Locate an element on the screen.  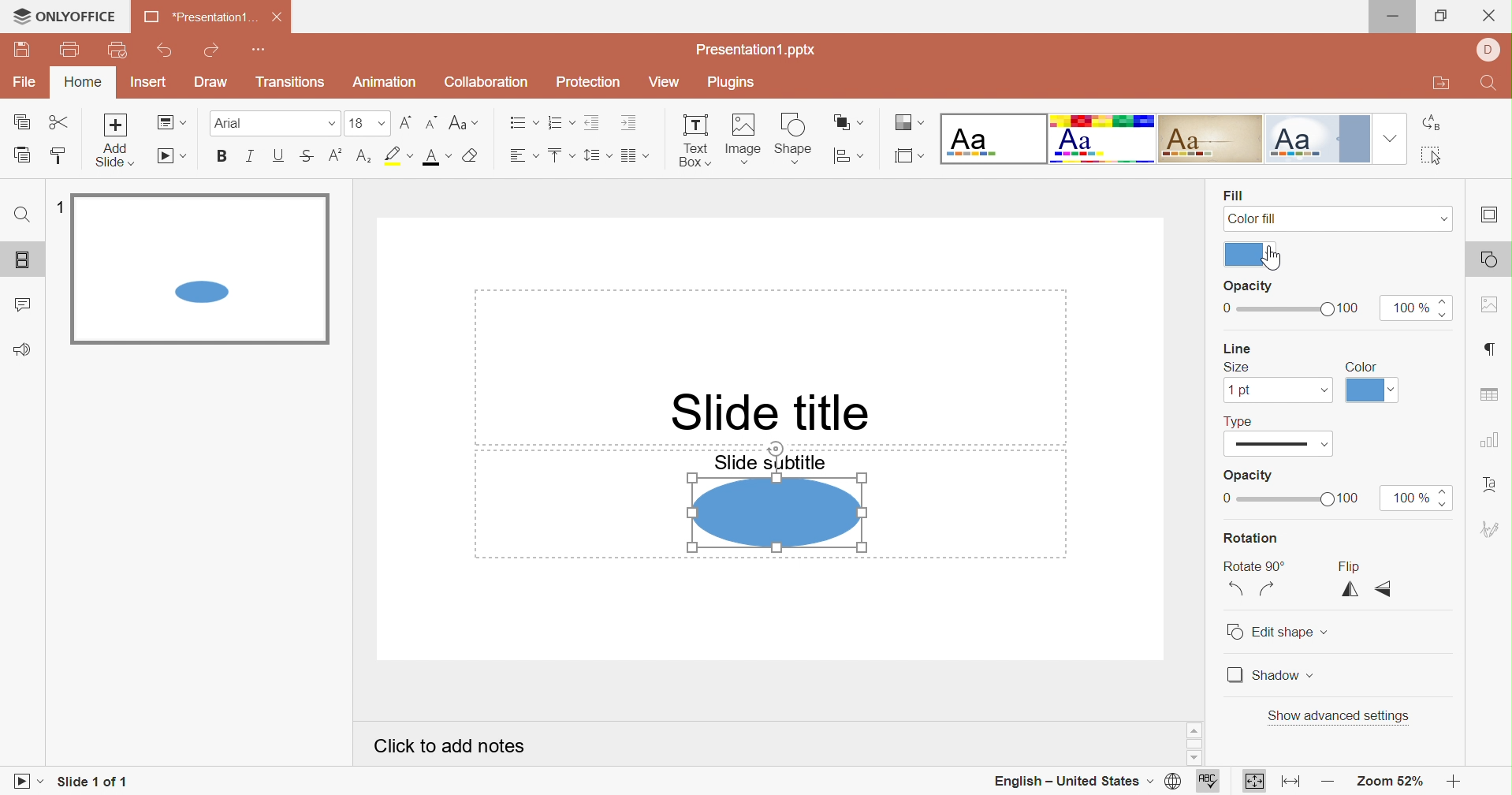
Draw is located at coordinates (212, 82).